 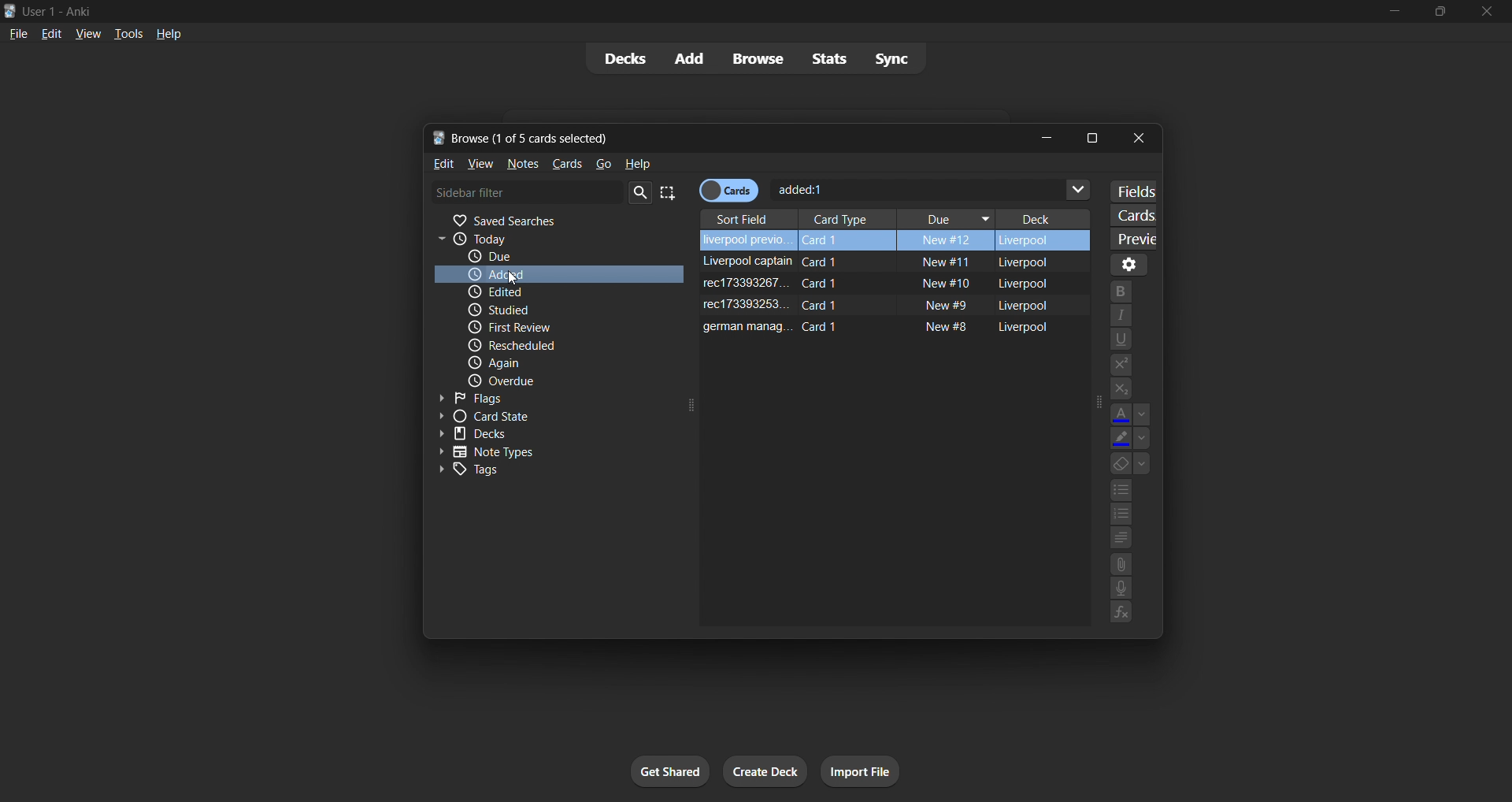 What do you see at coordinates (1488, 14) in the screenshot?
I see `close` at bounding box center [1488, 14].